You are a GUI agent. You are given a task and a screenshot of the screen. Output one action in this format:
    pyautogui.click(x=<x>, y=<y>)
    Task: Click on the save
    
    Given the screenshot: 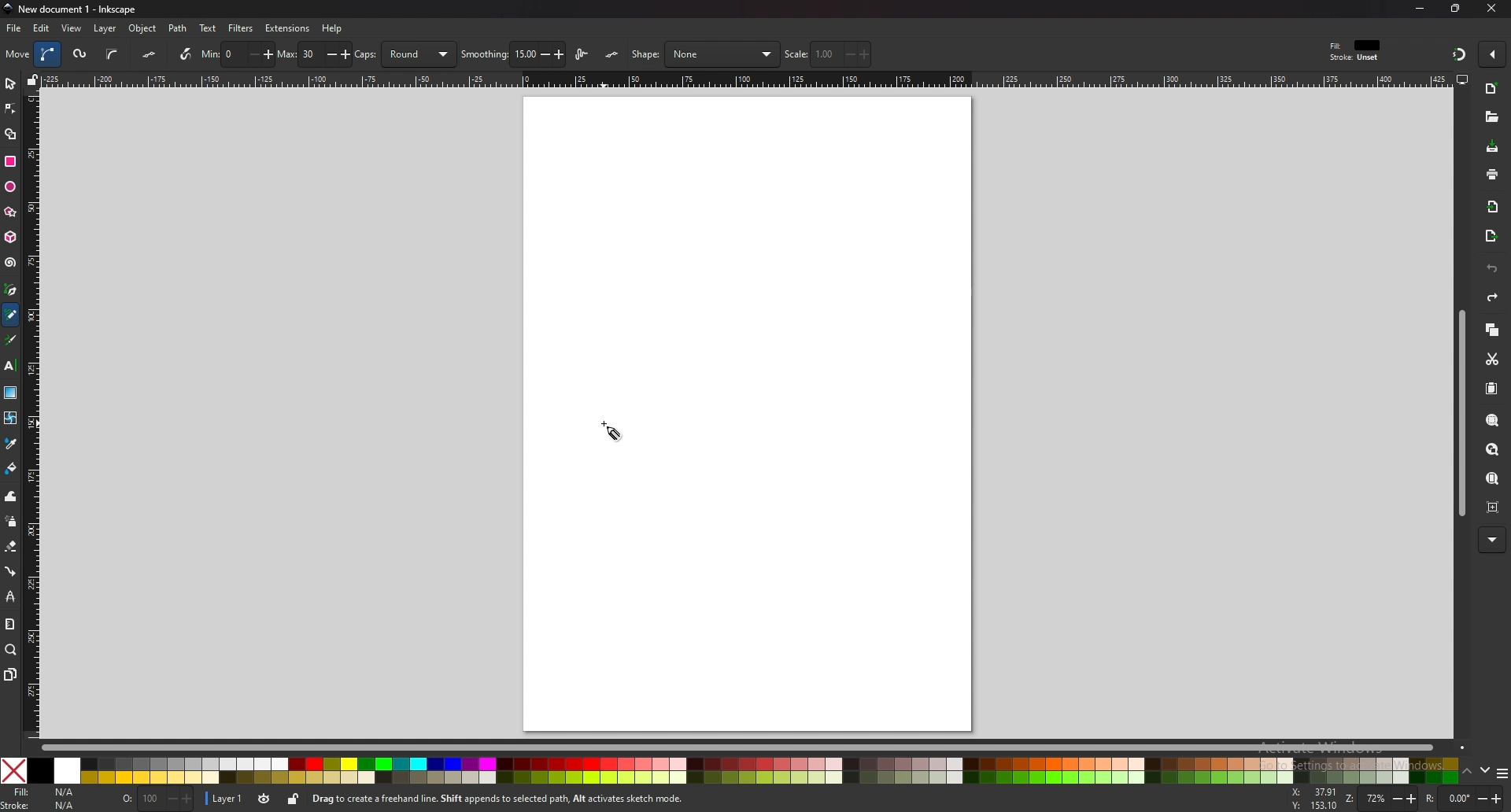 What is the action you would take?
    pyautogui.click(x=1493, y=148)
    